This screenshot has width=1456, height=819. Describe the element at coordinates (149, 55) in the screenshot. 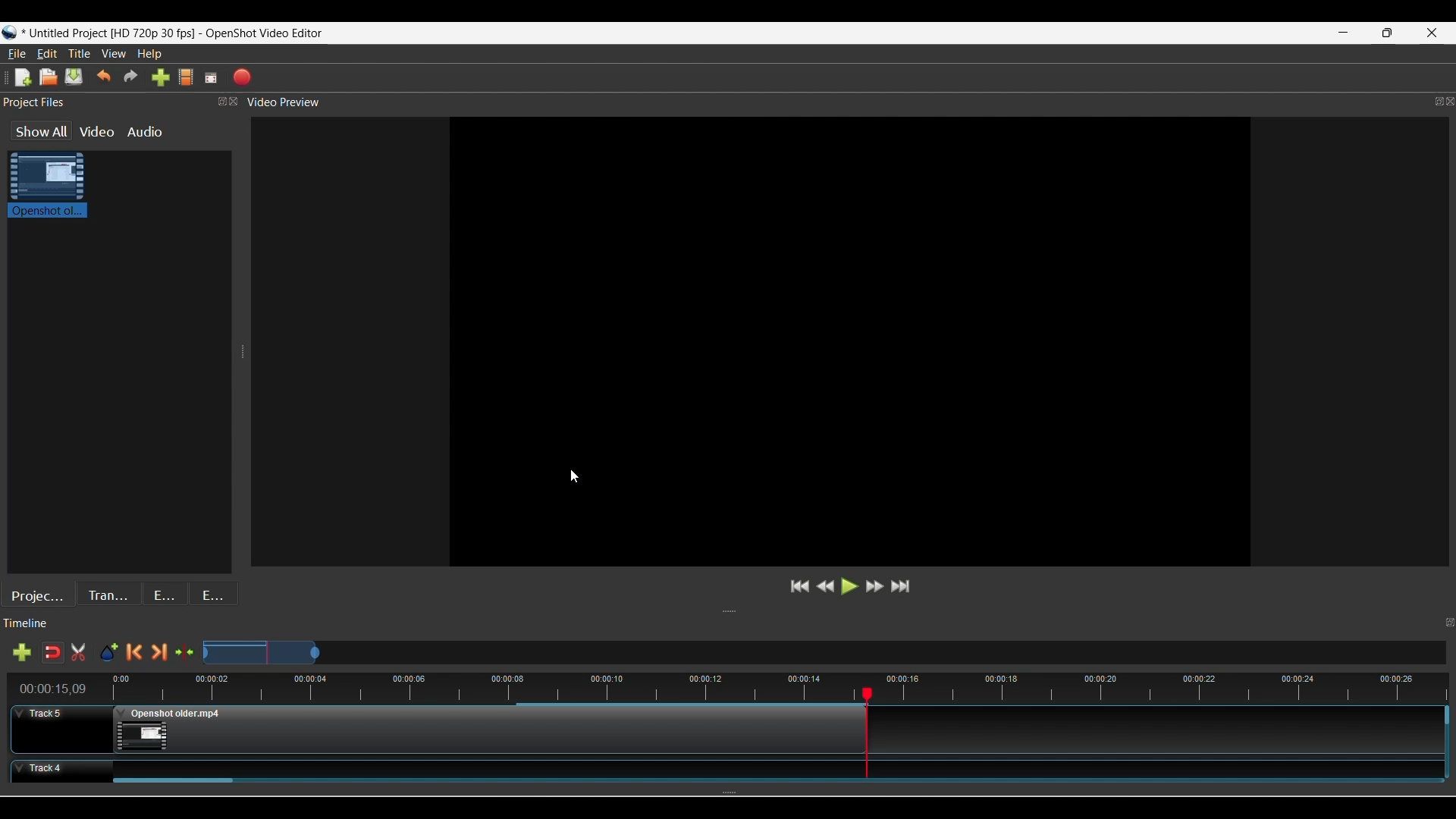

I see `Help` at that location.